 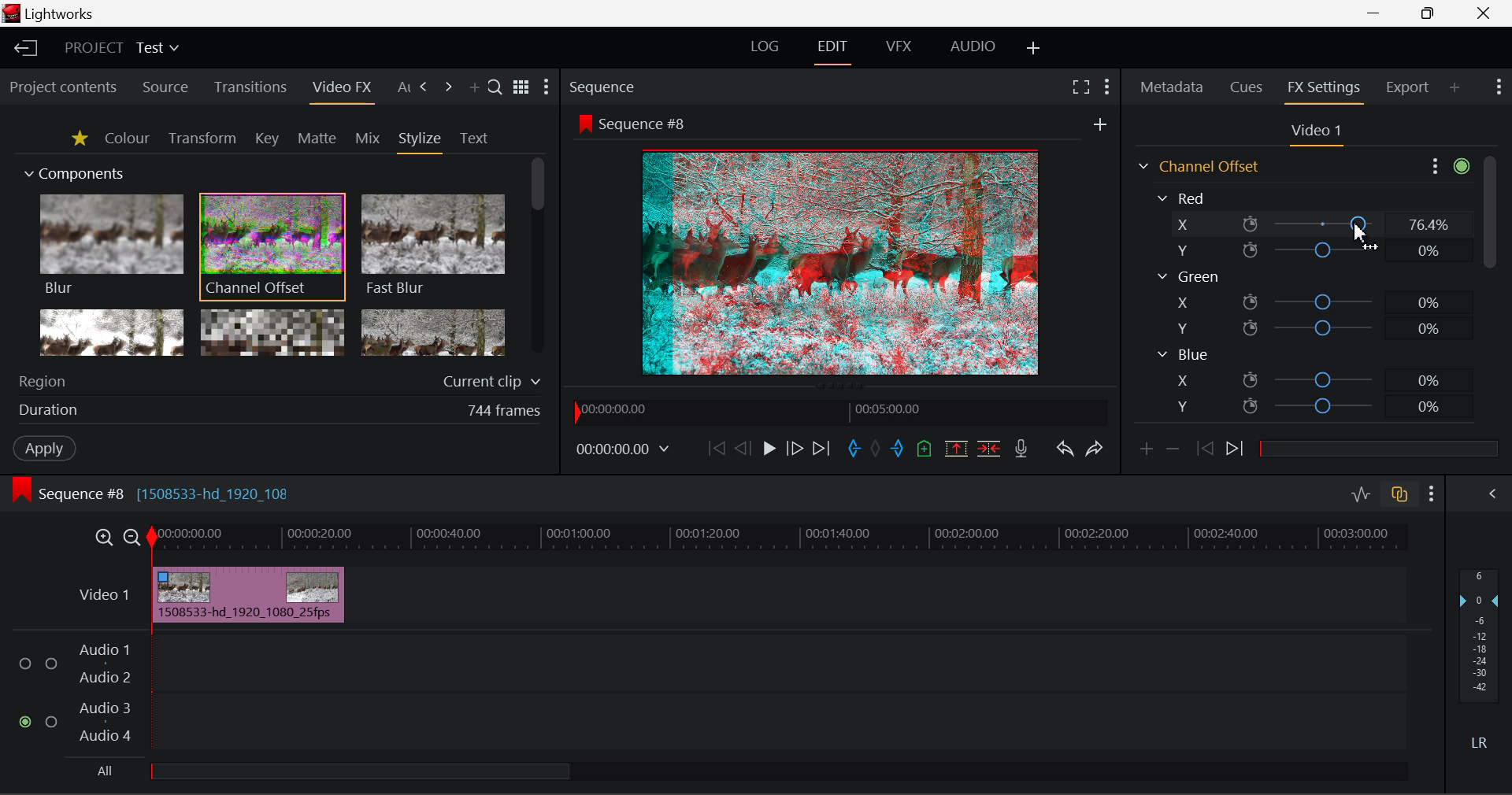 What do you see at coordinates (72, 171) in the screenshot?
I see `Components Section` at bounding box center [72, 171].